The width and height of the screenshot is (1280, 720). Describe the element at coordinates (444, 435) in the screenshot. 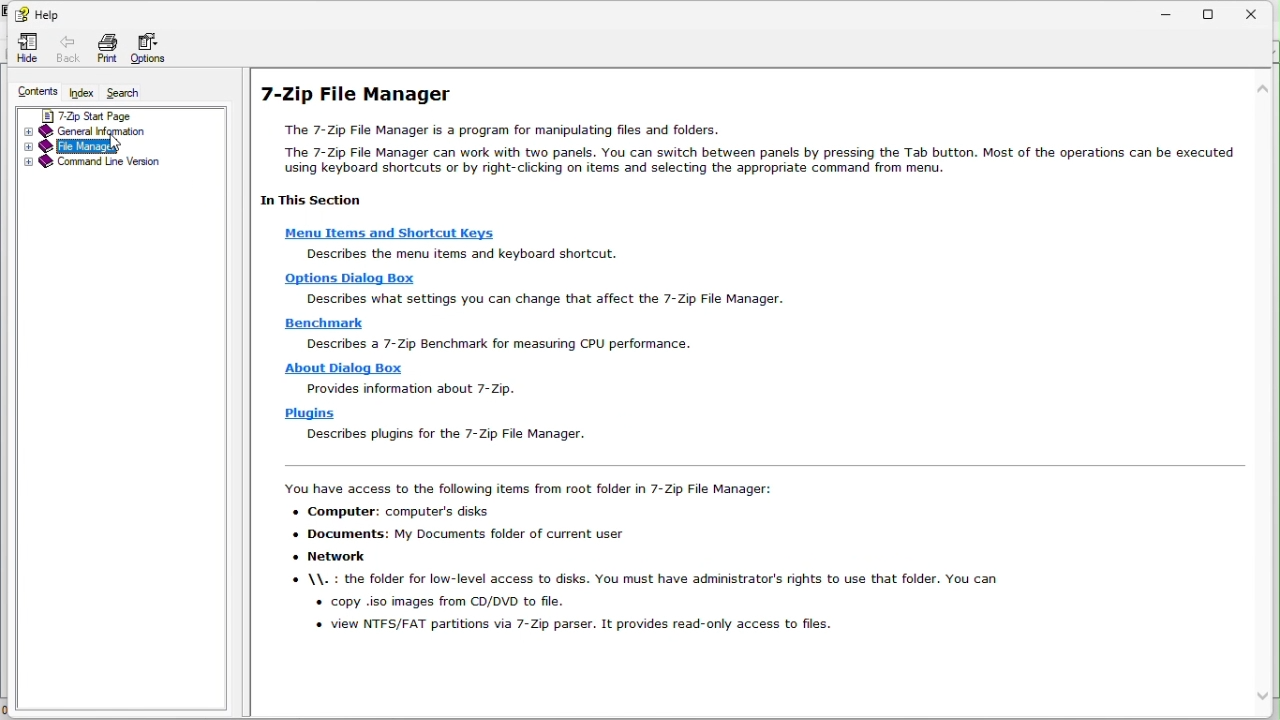

I see `describe plugins` at that location.